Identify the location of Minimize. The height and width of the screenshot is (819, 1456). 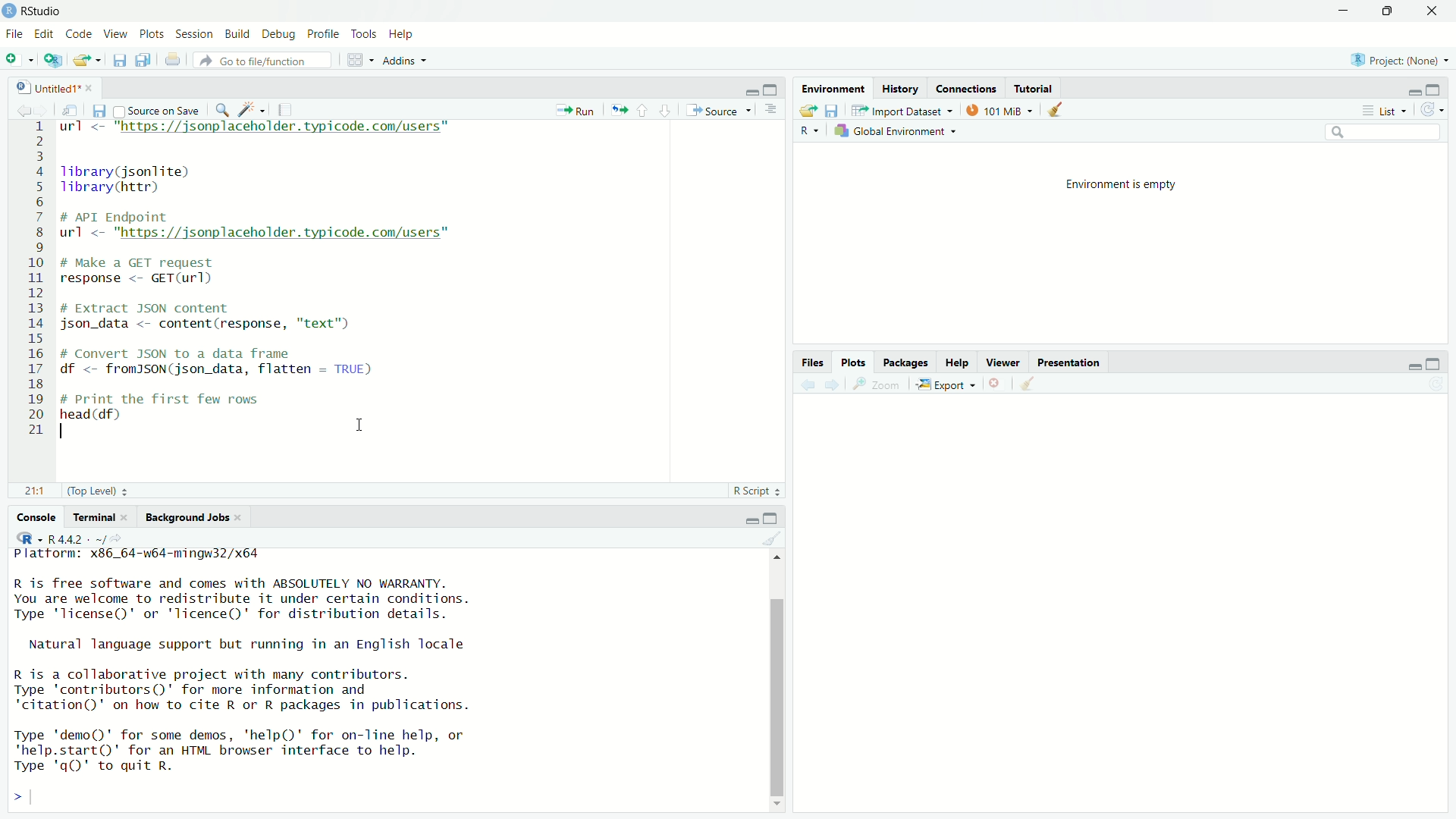
(1347, 11).